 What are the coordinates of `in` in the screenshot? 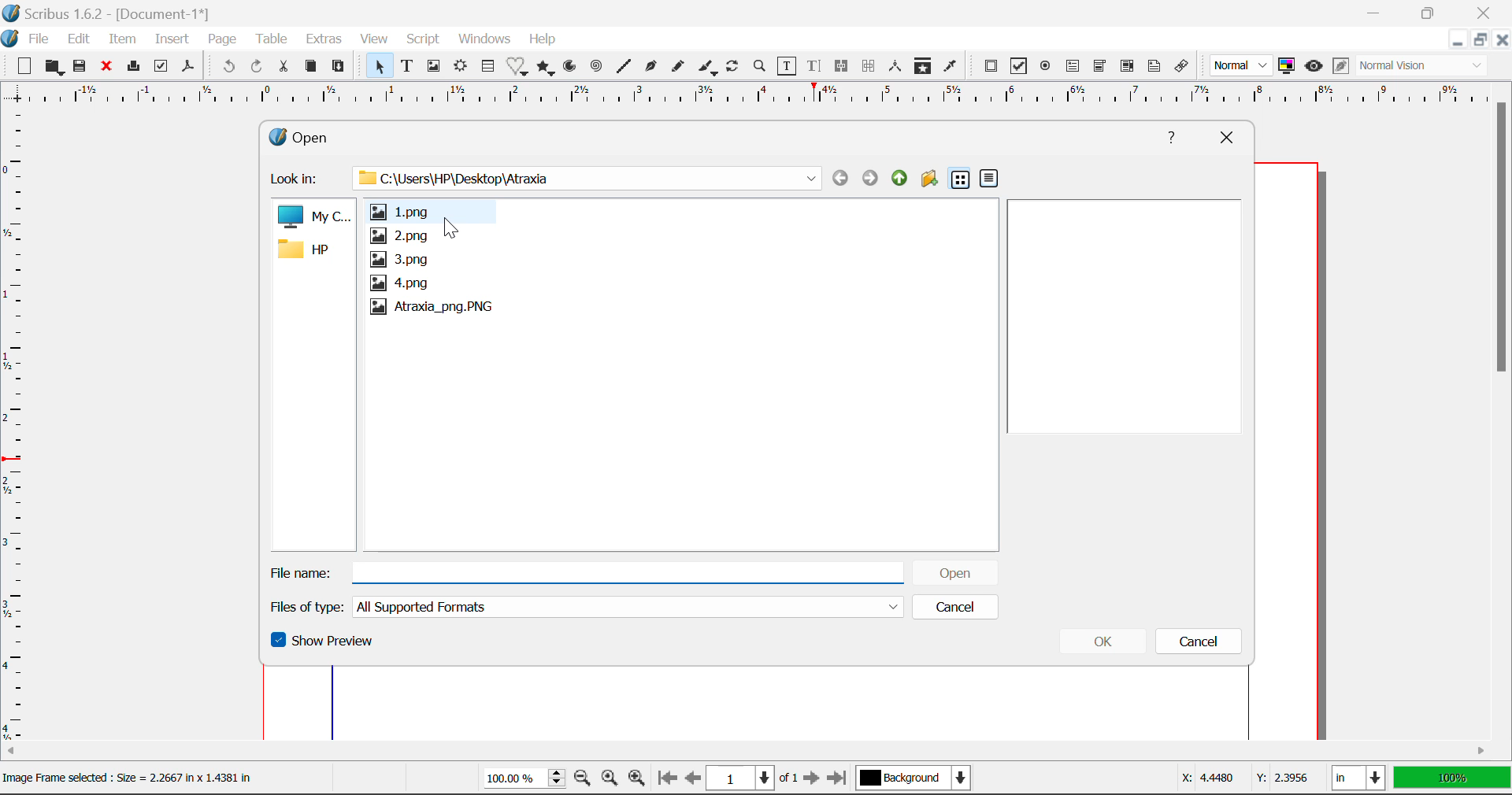 It's located at (1356, 778).